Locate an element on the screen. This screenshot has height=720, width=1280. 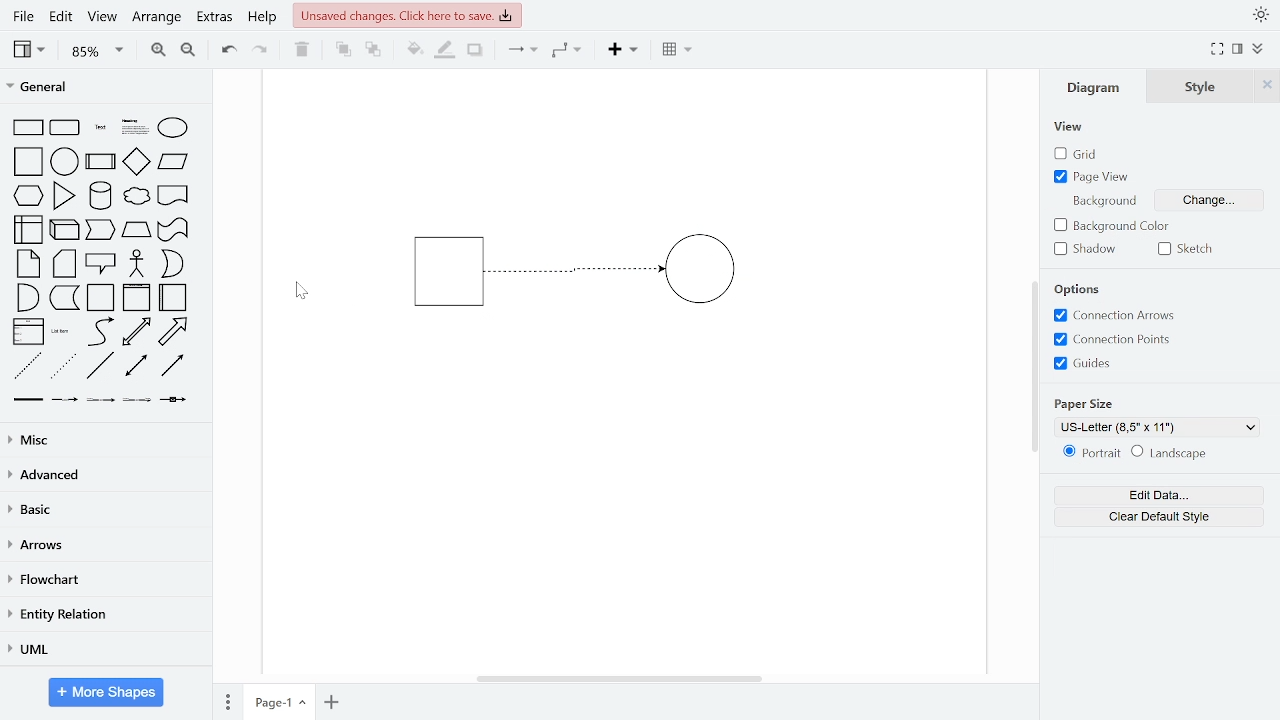
process is located at coordinates (101, 163).